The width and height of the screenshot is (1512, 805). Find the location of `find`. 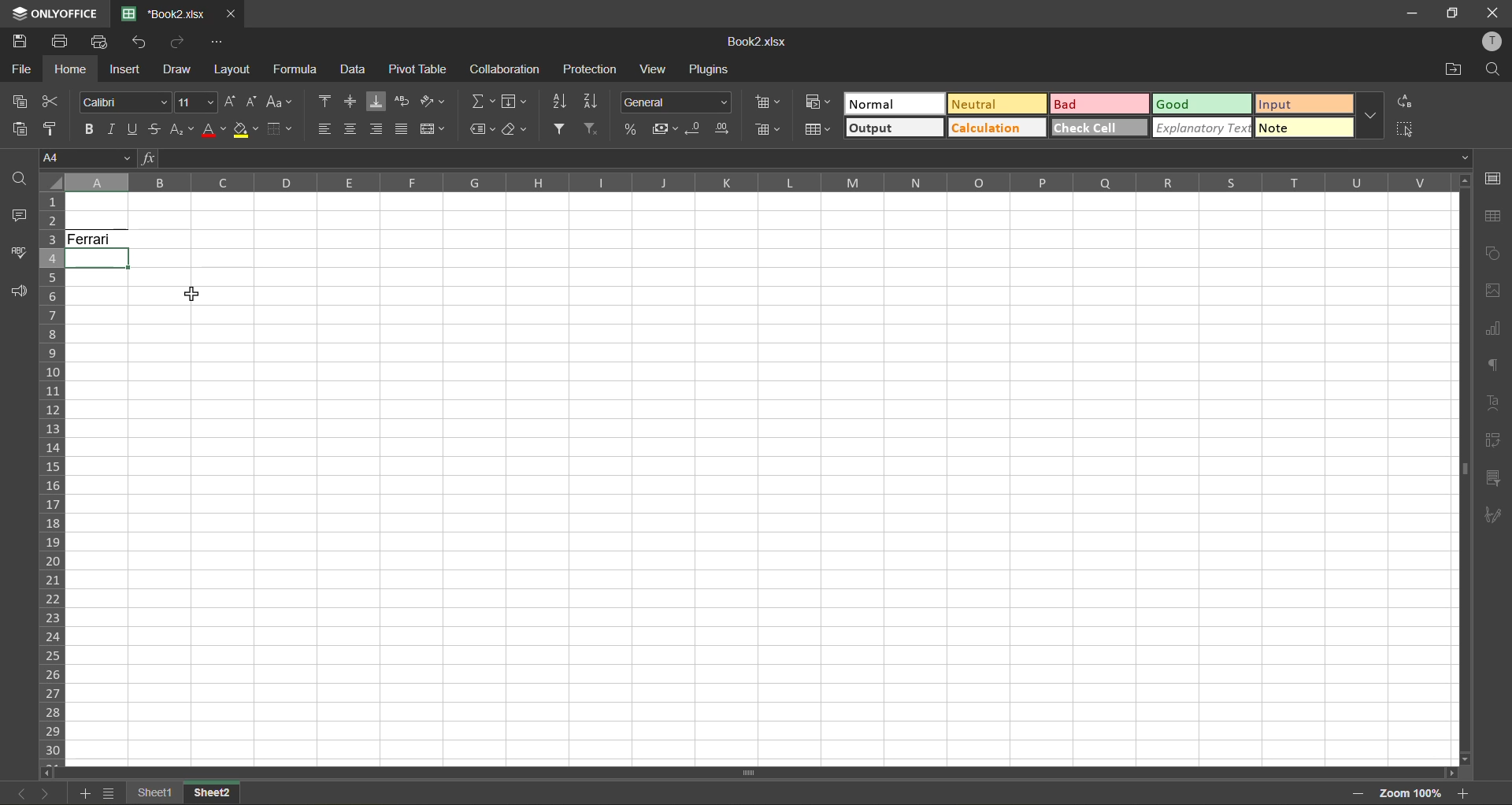

find is located at coordinates (21, 180).